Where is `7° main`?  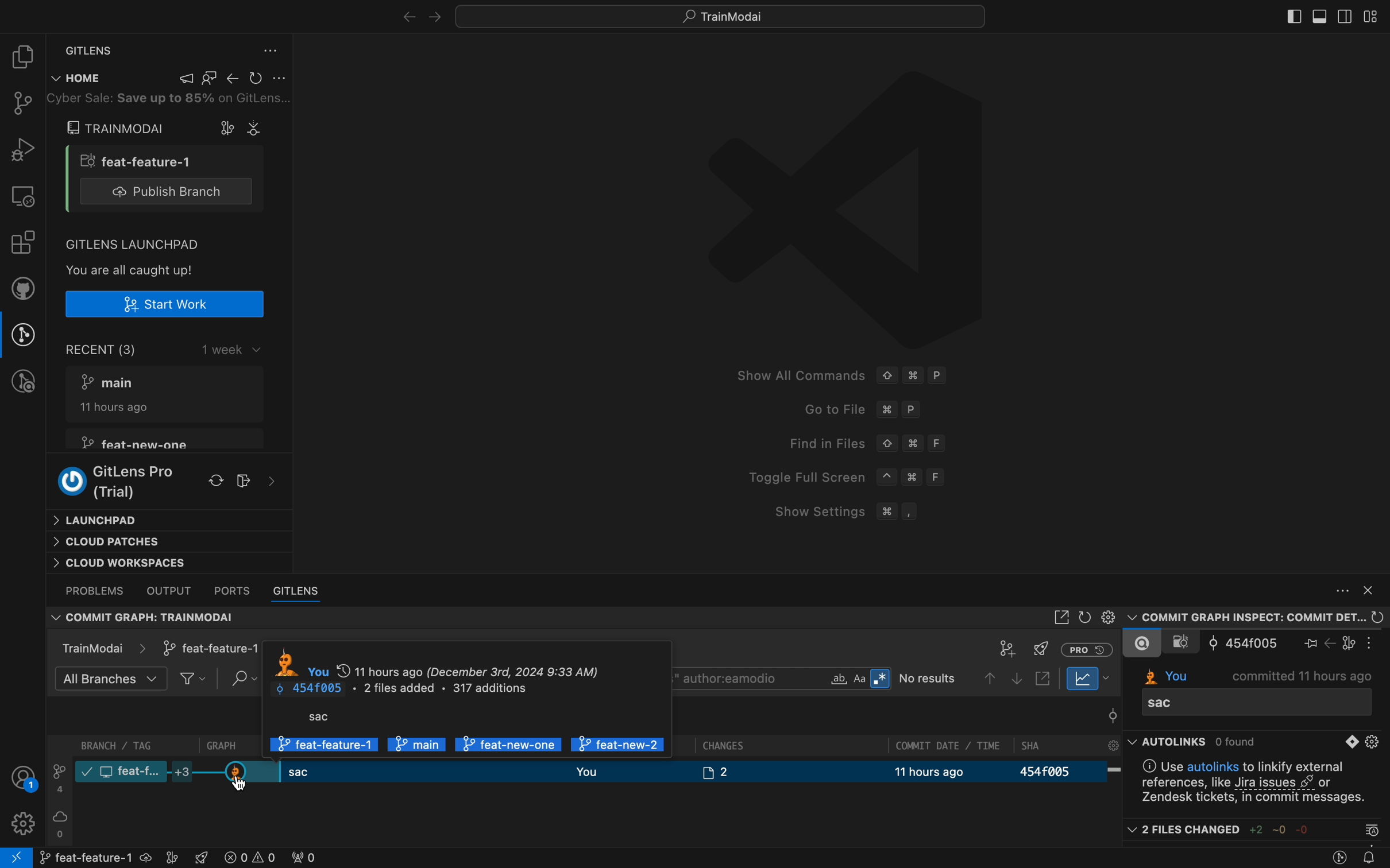
7° main is located at coordinates (131, 391).